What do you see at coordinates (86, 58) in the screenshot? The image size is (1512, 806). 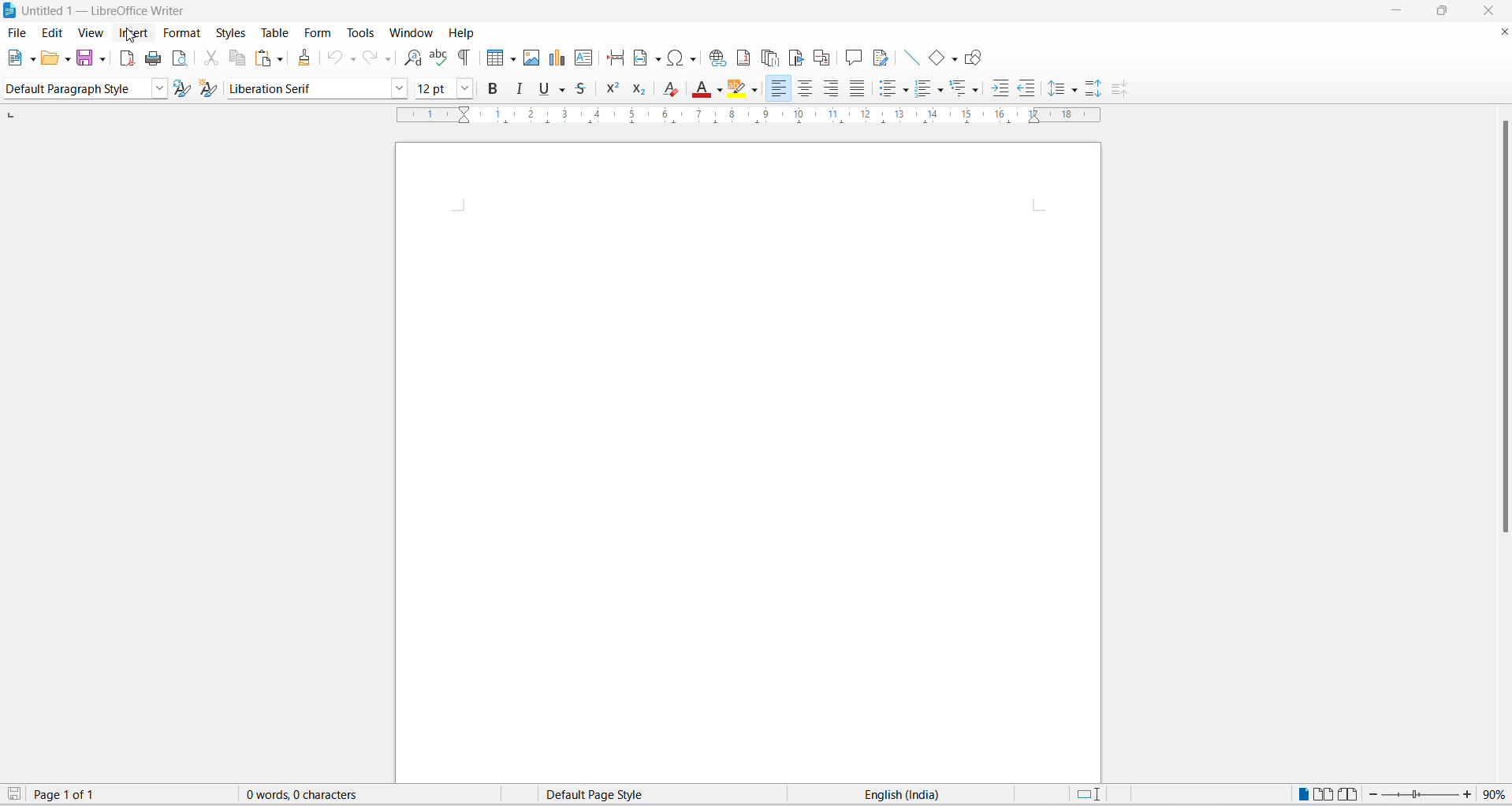 I see `save` at bounding box center [86, 58].